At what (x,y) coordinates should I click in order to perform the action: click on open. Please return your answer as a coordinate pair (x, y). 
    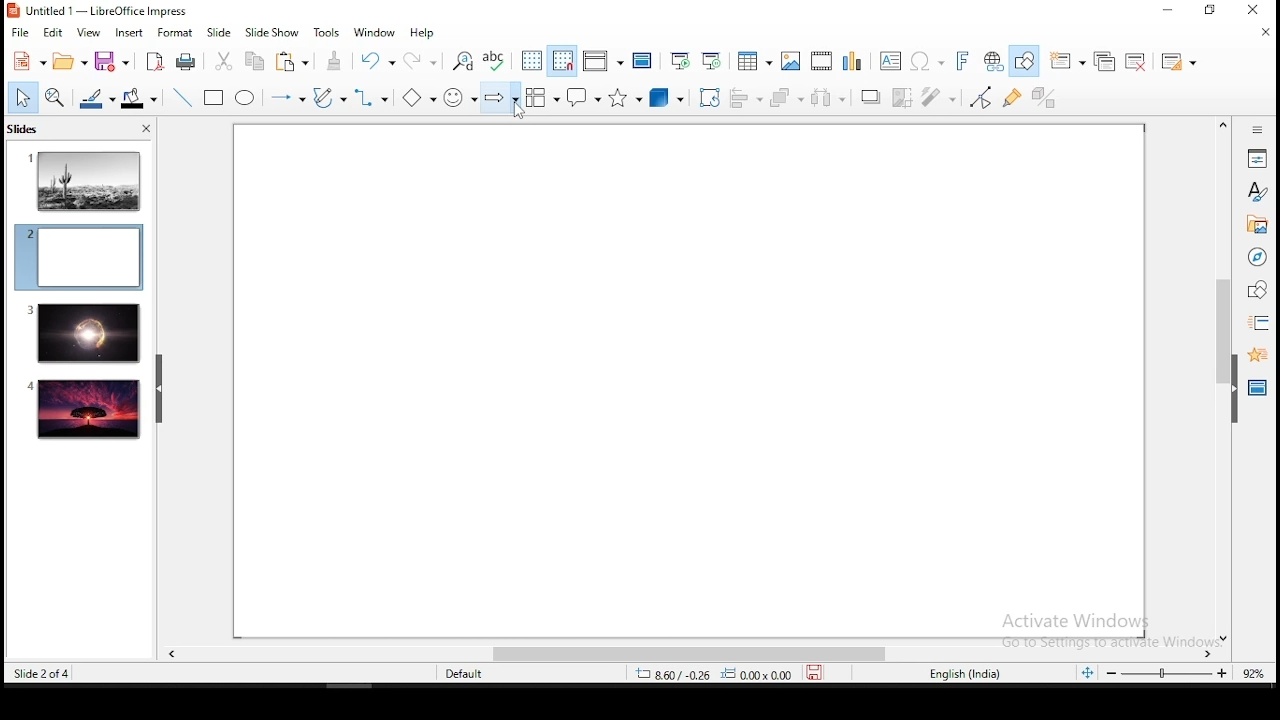
    Looking at the image, I should click on (65, 62).